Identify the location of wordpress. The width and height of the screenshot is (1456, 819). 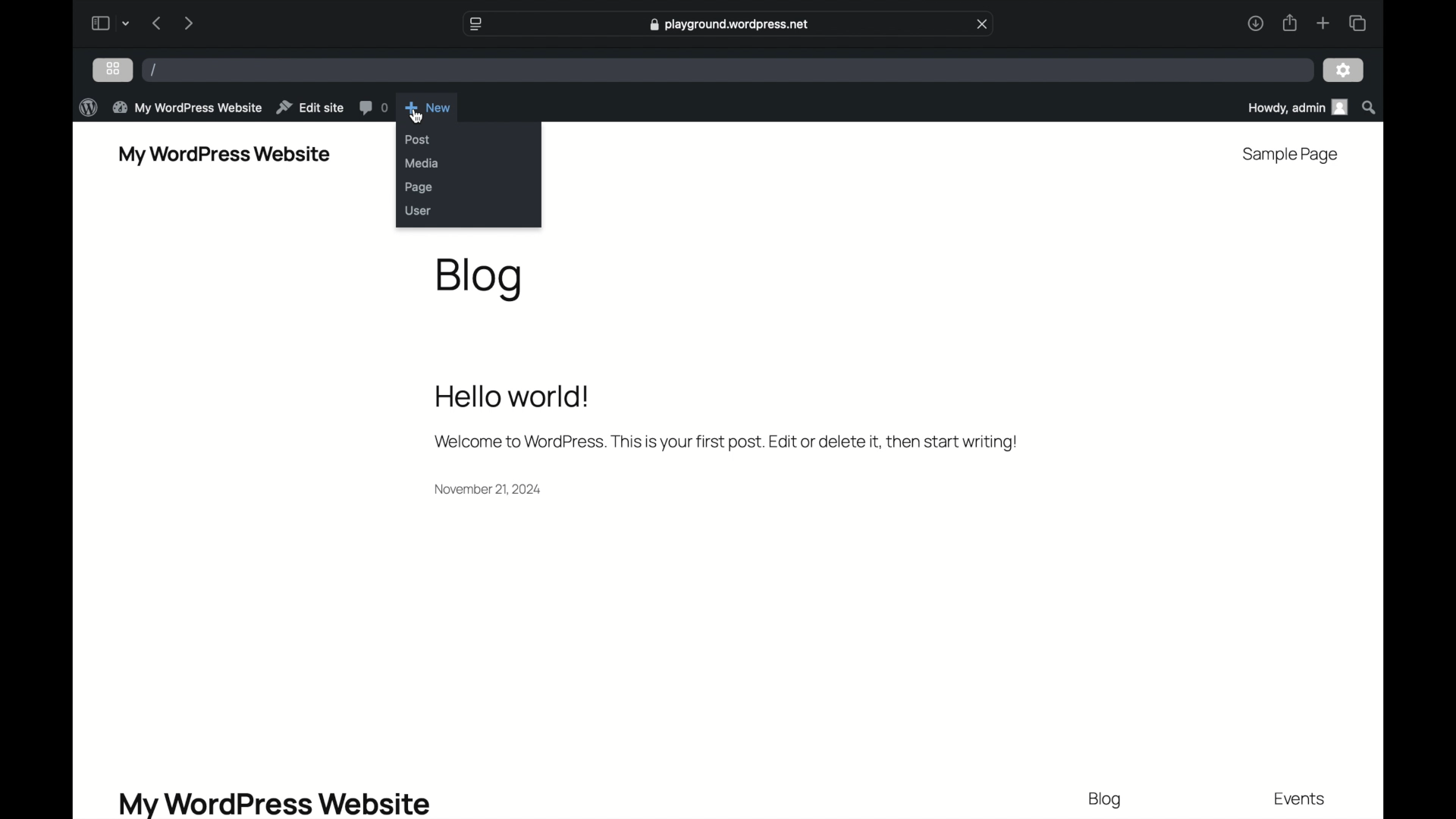
(88, 107).